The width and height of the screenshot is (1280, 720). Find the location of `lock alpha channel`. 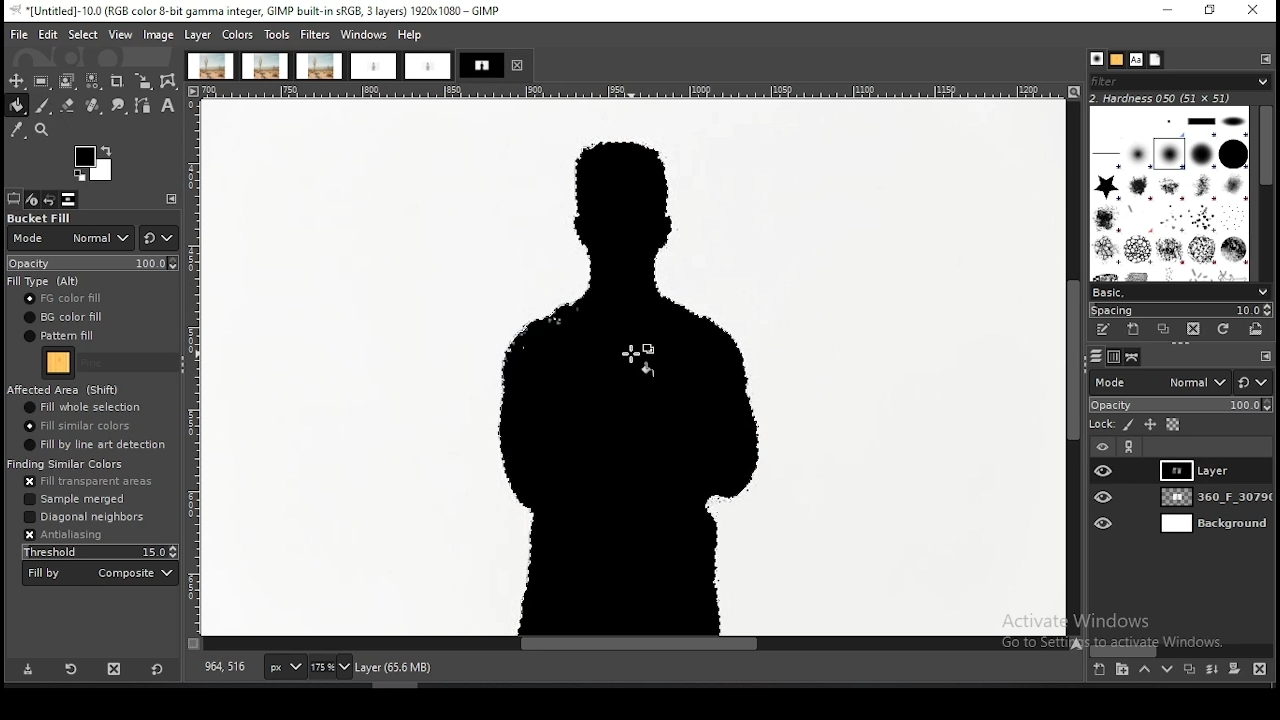

lock alpha channel is located at coordinates (1173, 425).